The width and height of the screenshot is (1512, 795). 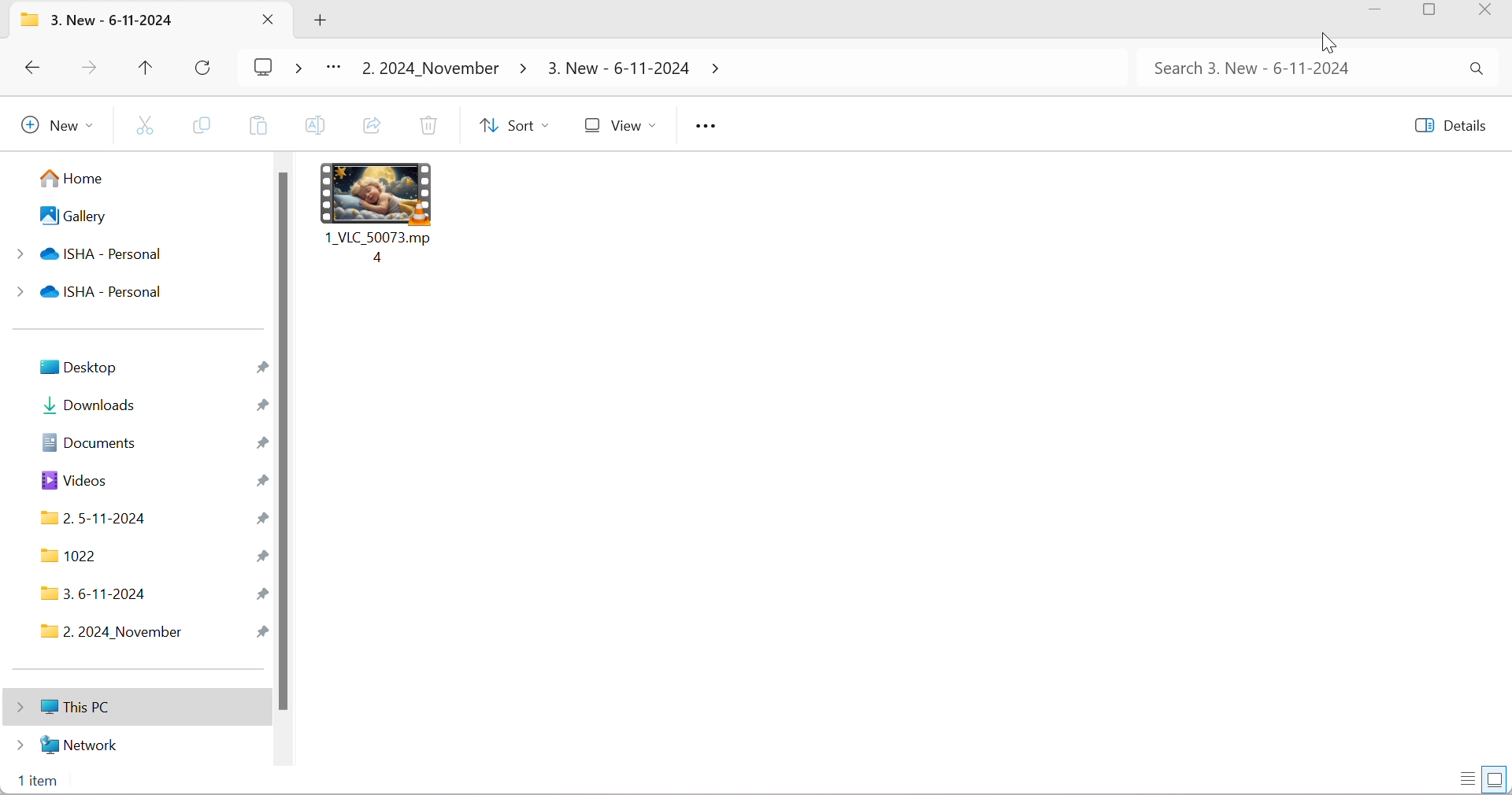 What do you see at coordinates (264, 593) in the screenshot?
I see `Pin` at bounding box center [264, 593].